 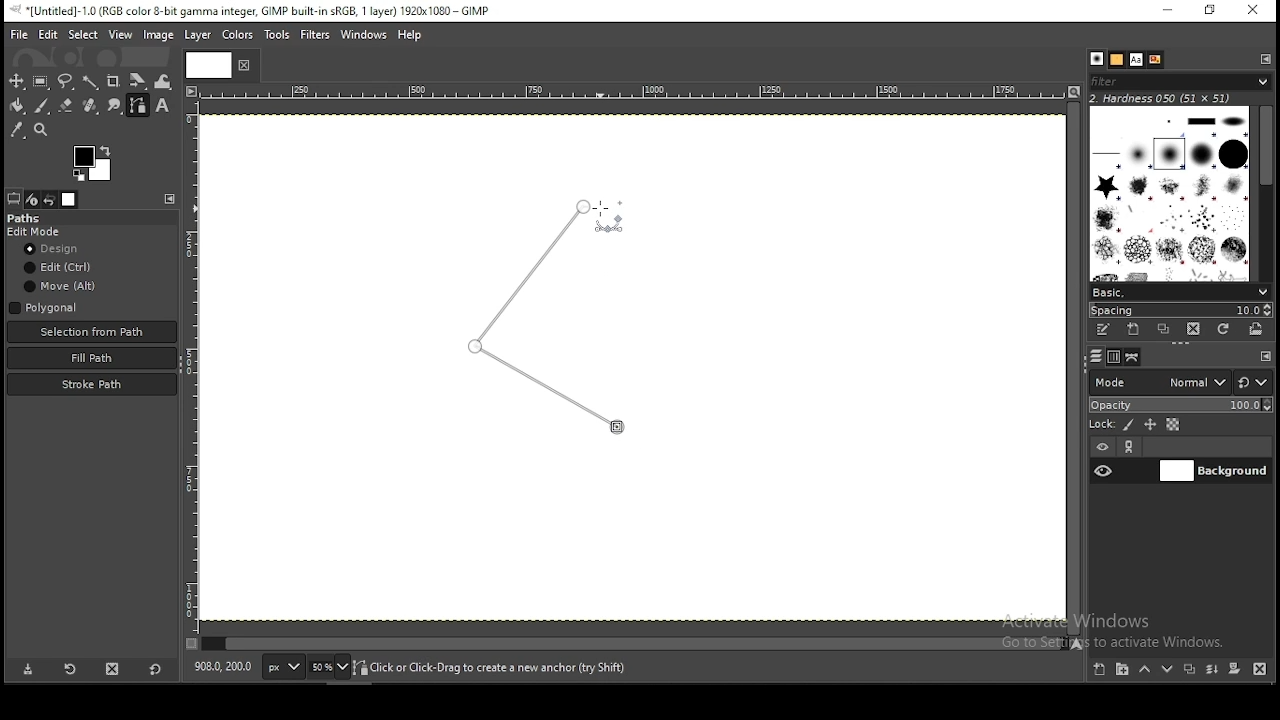 What do you see at coordinates (1214, 670) in the screenshot?
I see `merge layer` at bounding box center [1214, 670].